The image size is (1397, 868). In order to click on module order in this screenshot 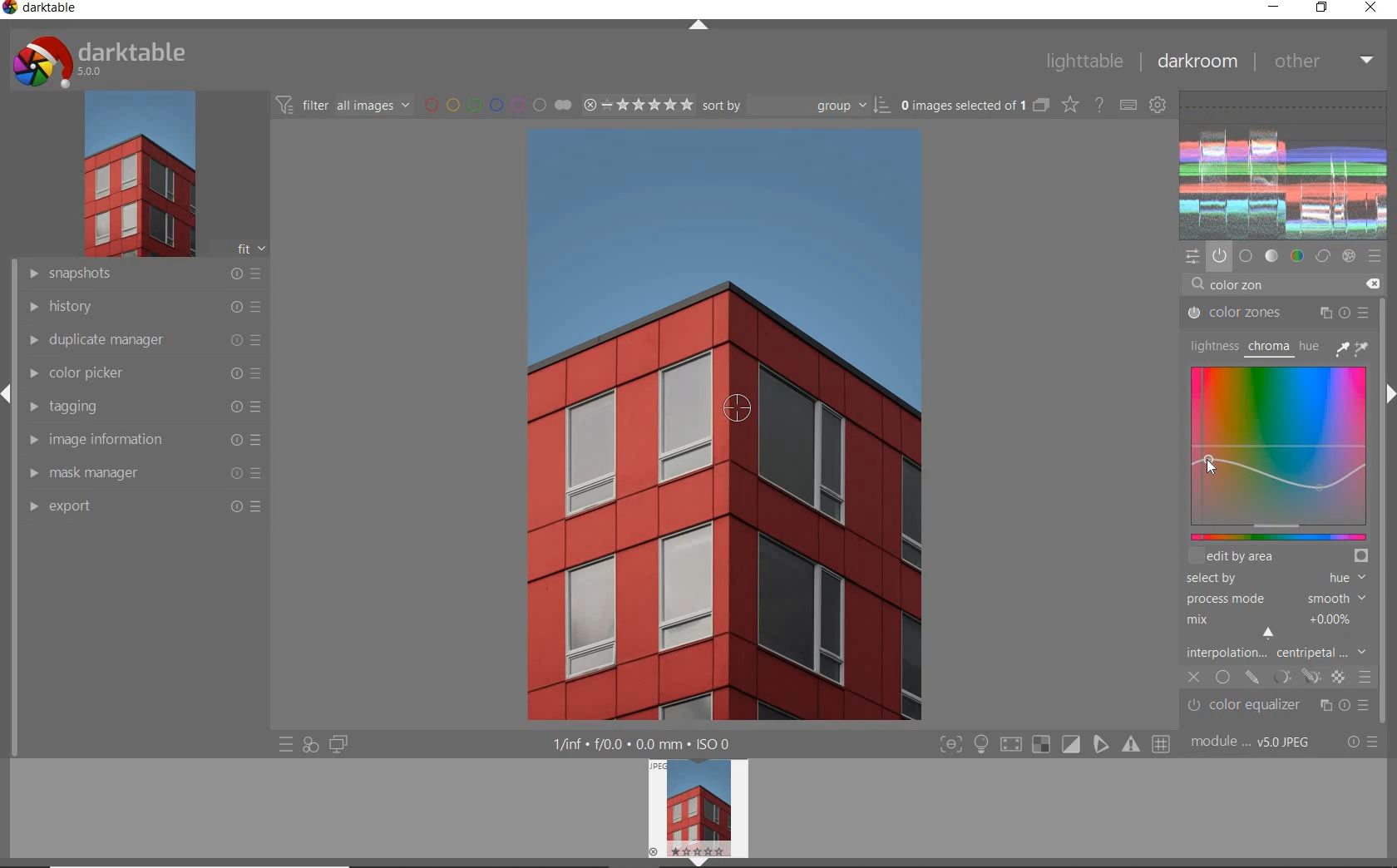, I will do `click(1255, 743)`.